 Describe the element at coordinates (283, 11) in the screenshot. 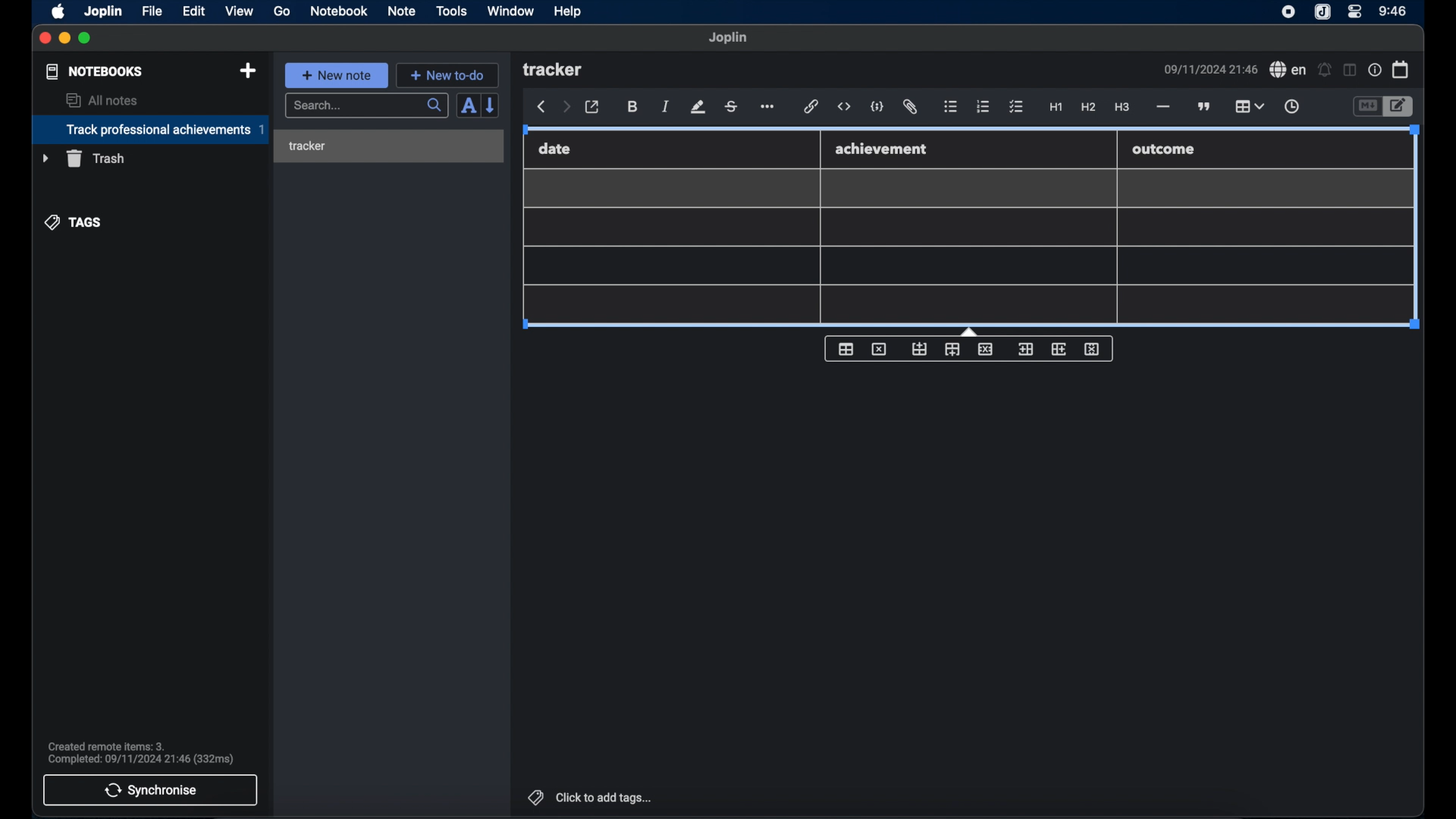

I see `go` at that location.